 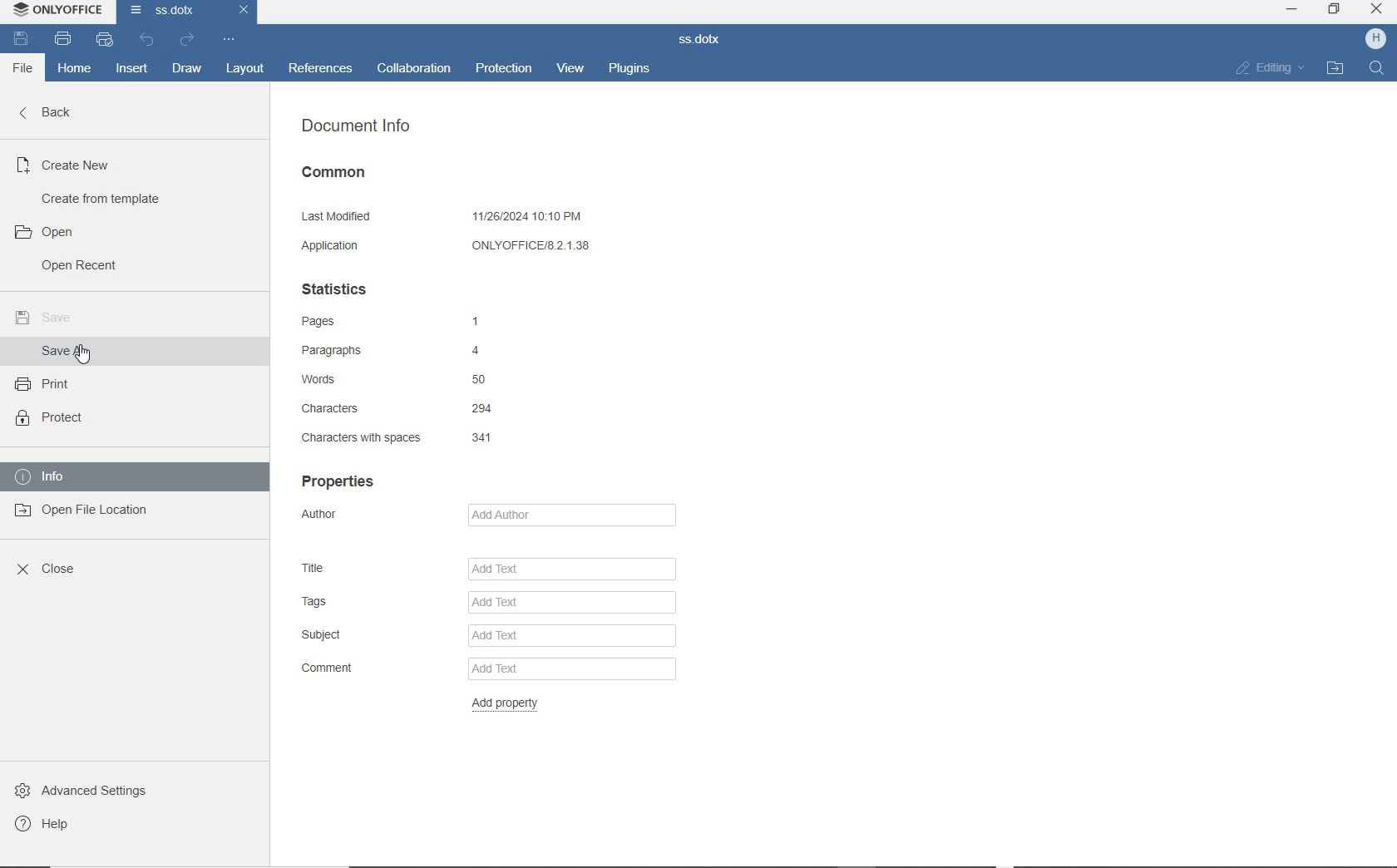 I want to click on PROPERTIES, so click(x=341, y=481).